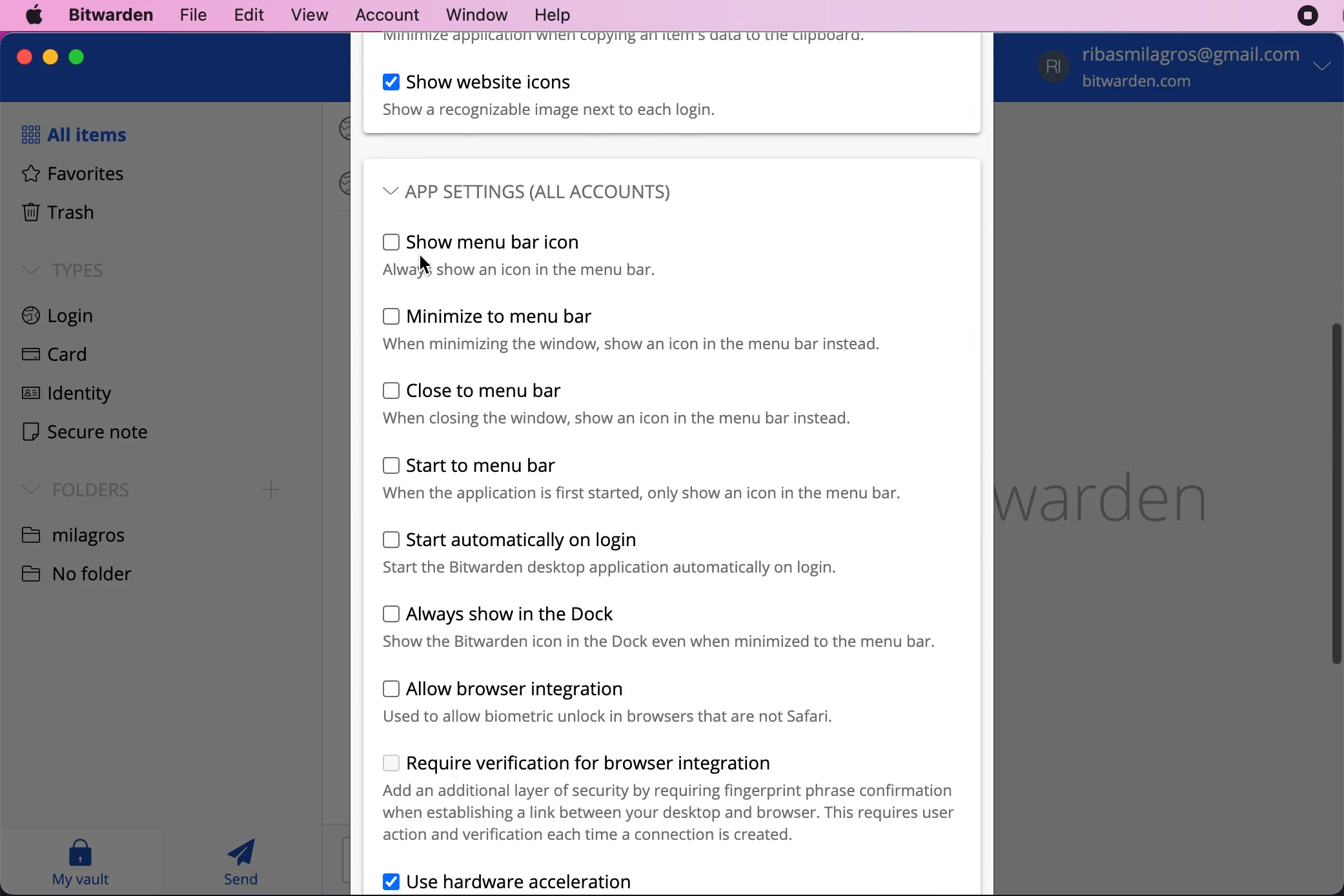  Describe the element at coordinates (535, 255) in the screenshot. I see `show menu bar icon` at that location.